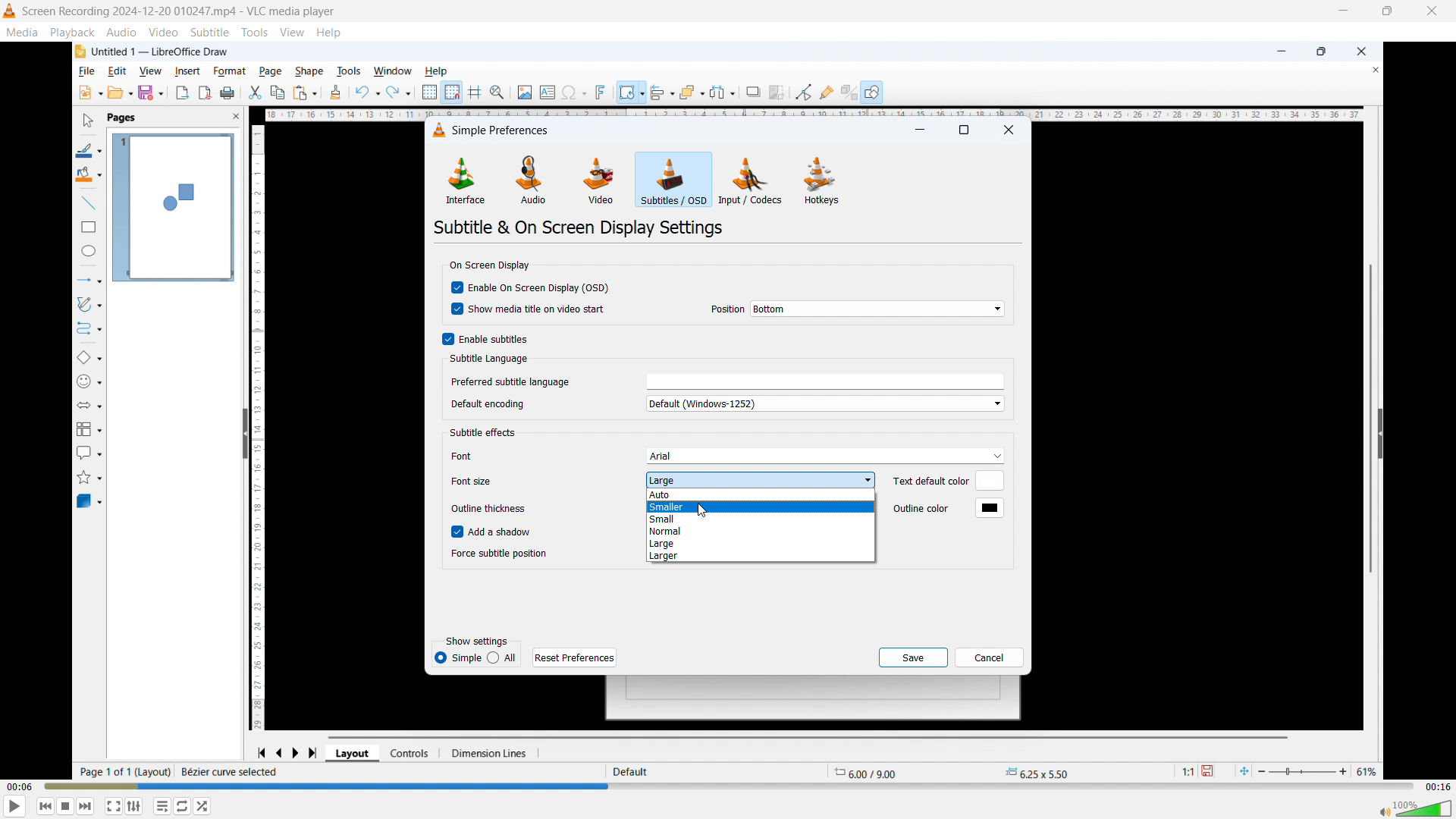 The height and width of the screenshot is (819, 1456). I want to click on play , so click(16, 805).